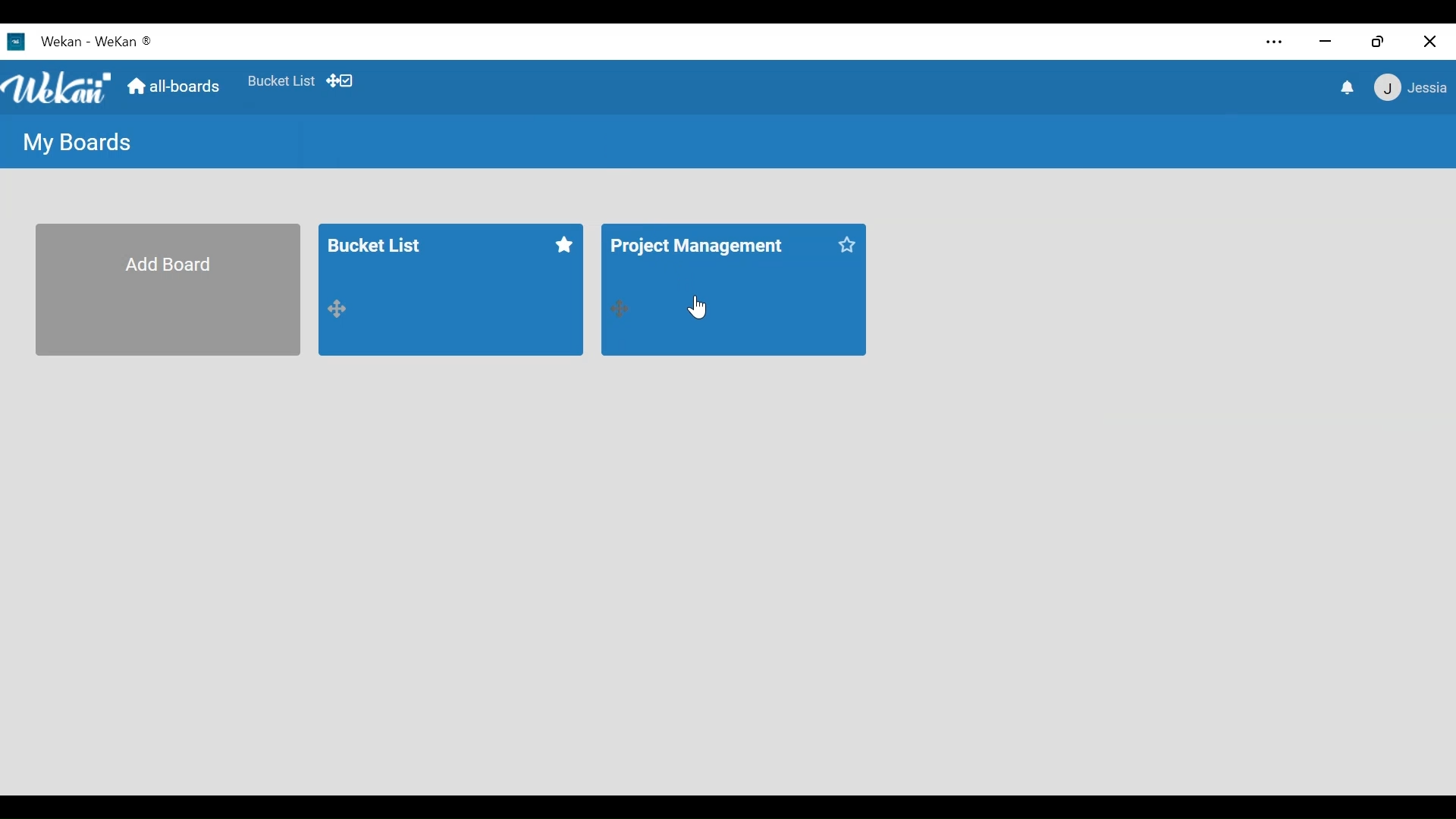 This screenshot has width=1456, height=819. I want to click on Show/Hide Desktop drag icons, so click(343, 80).